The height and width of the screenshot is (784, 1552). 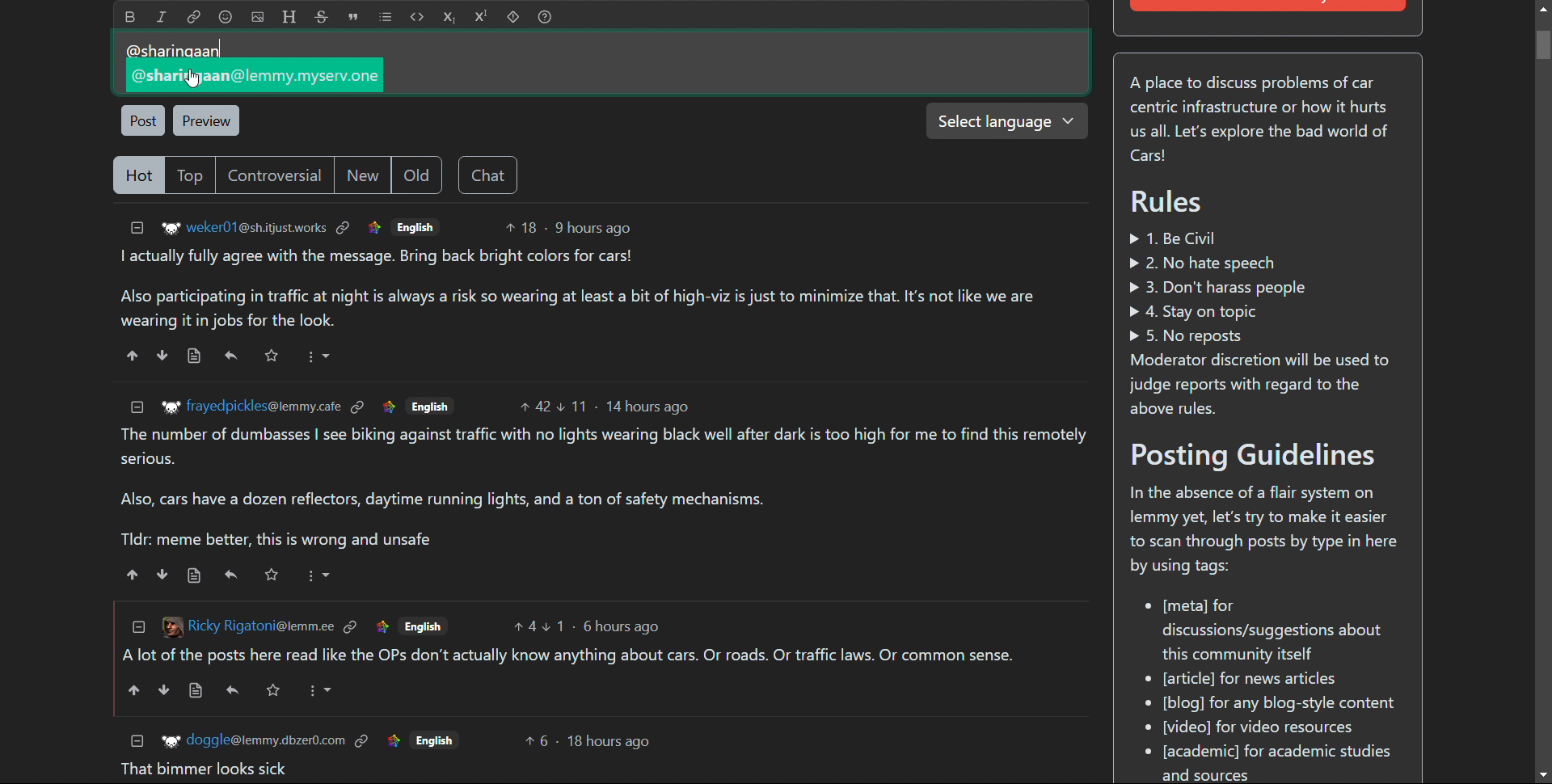 What do you see at coordinates (1542, 45) in the screenshot?
I see `Vertical scroll bar` at bounding box center [1542, 45].